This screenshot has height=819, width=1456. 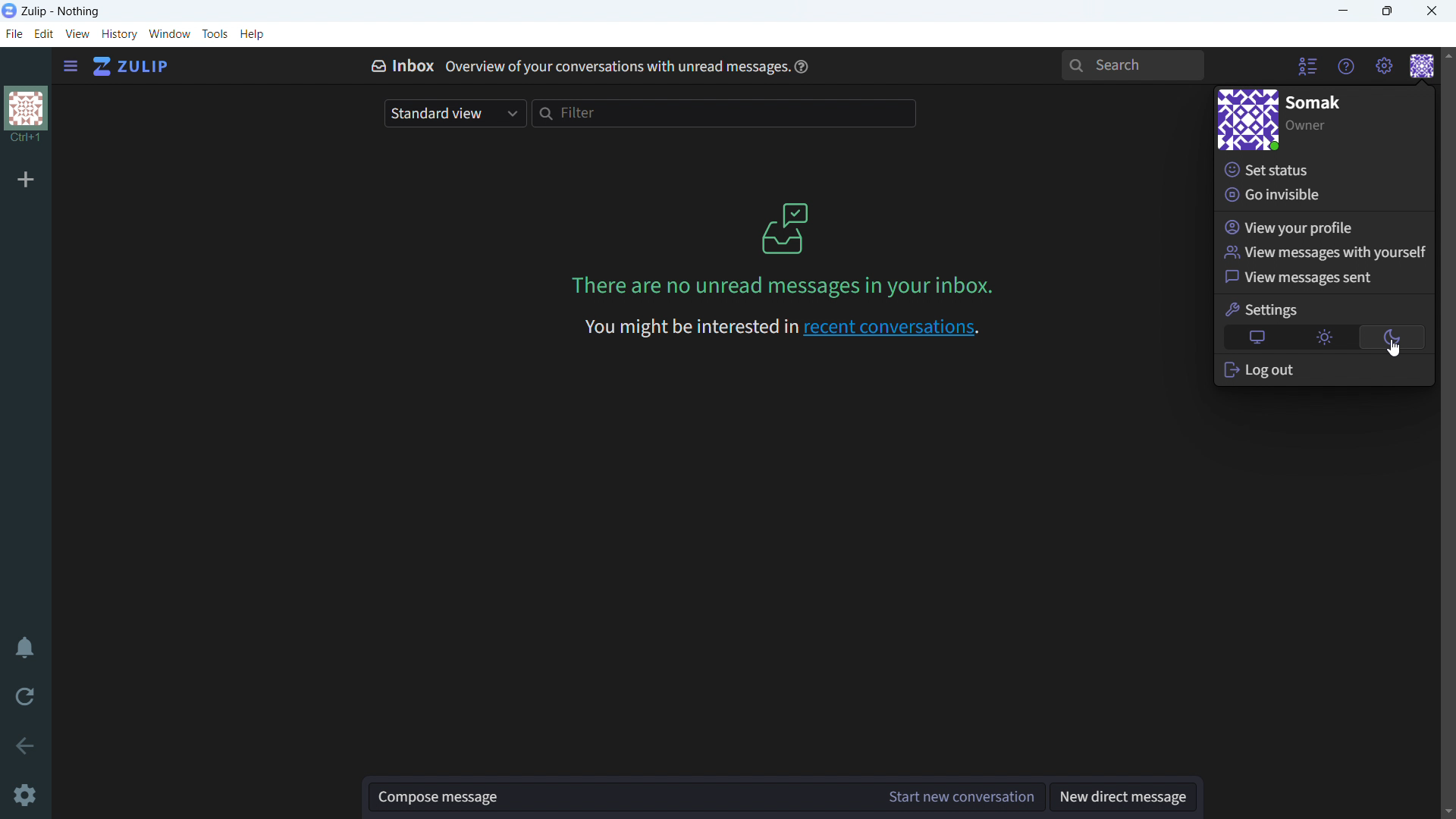 What do you see at coordinates (1326, 369) in the screenshot?
I see `log out` at bounding box center [1326, 369].